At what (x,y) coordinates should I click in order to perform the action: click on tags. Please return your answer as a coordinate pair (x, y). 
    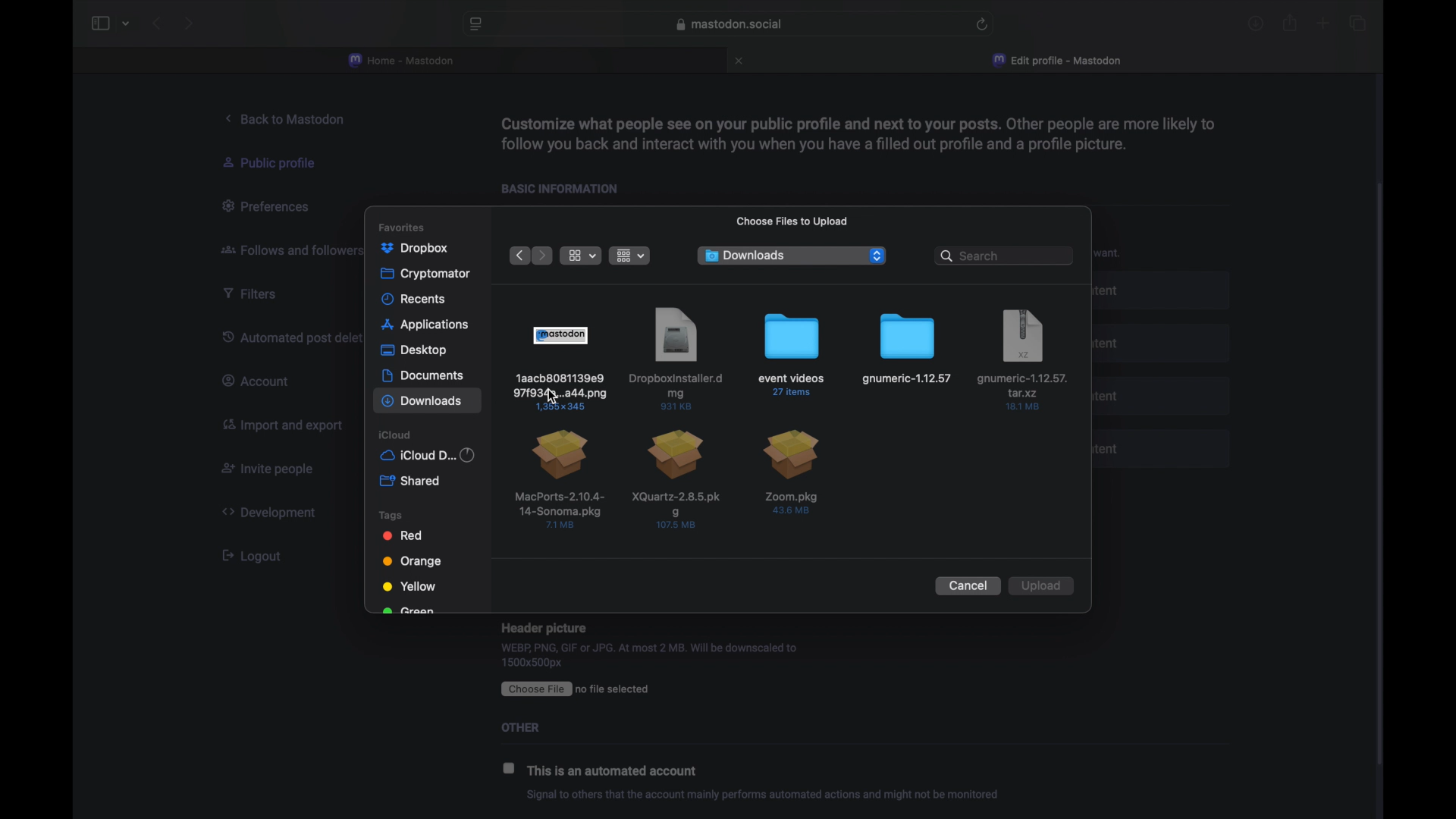
    Looking at the image, I should click on (391, 514).